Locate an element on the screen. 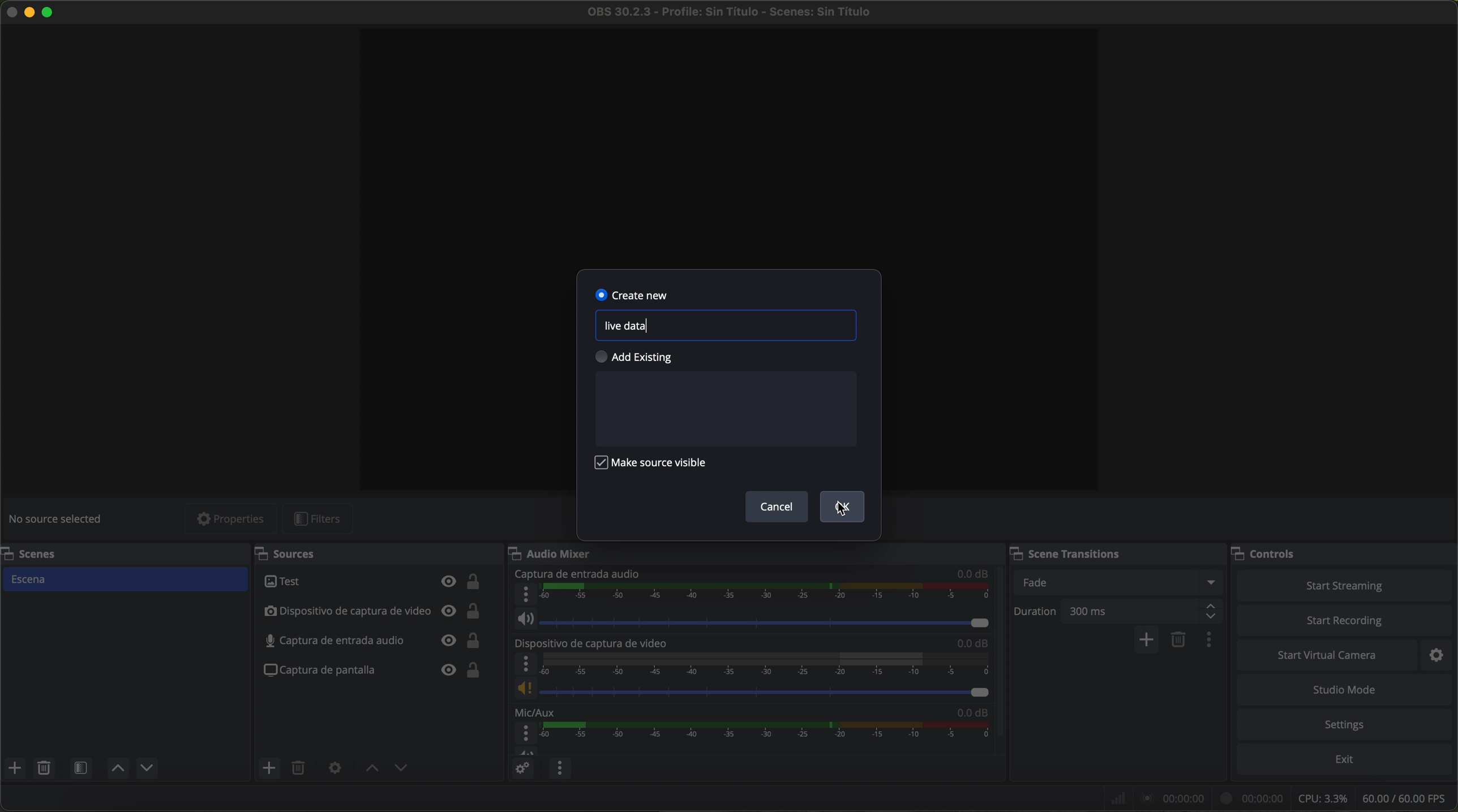  studio mode is located at coordinates (1347, 691).